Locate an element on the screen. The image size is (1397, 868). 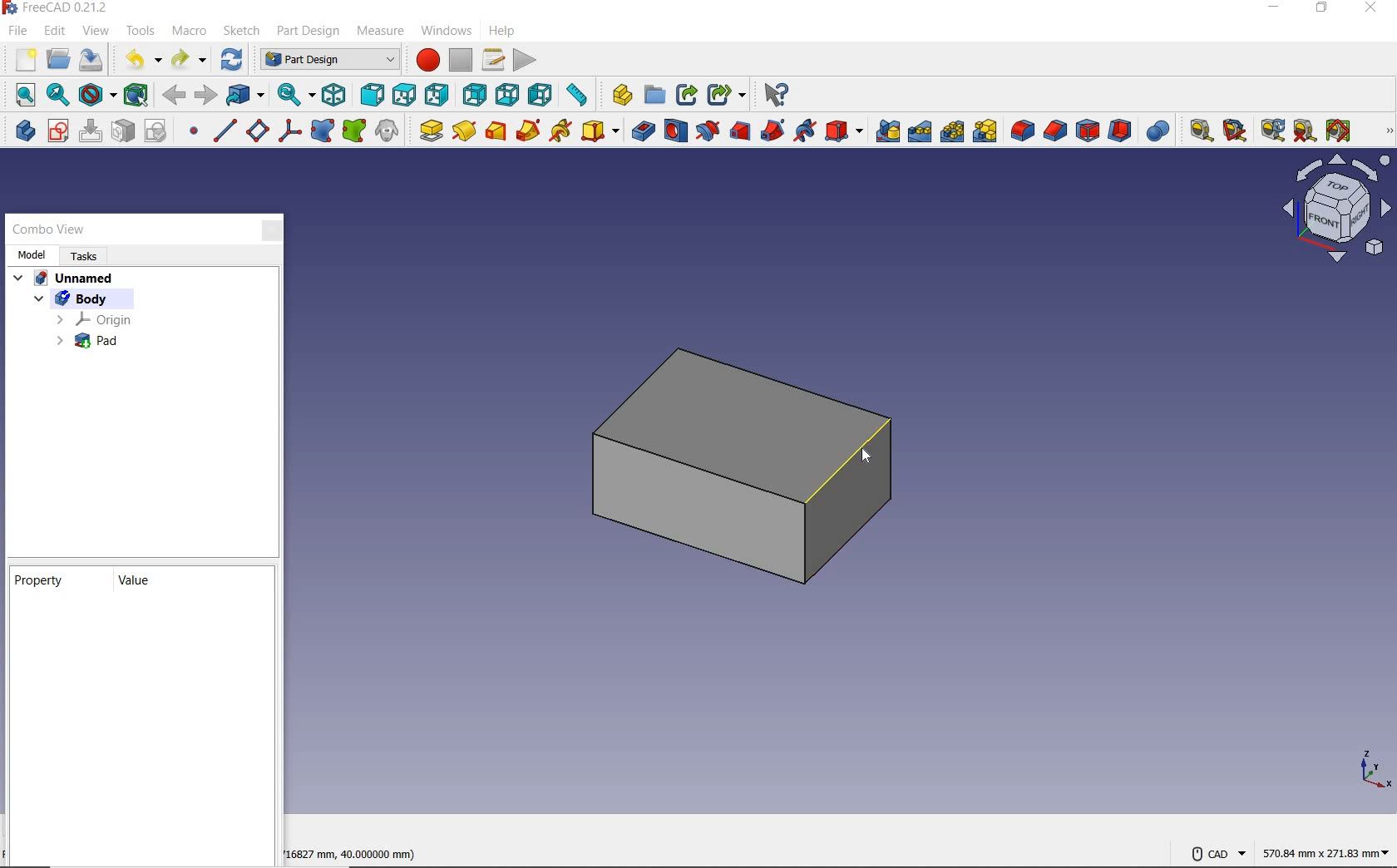
measure linear is located at coordinates (1196, 129).